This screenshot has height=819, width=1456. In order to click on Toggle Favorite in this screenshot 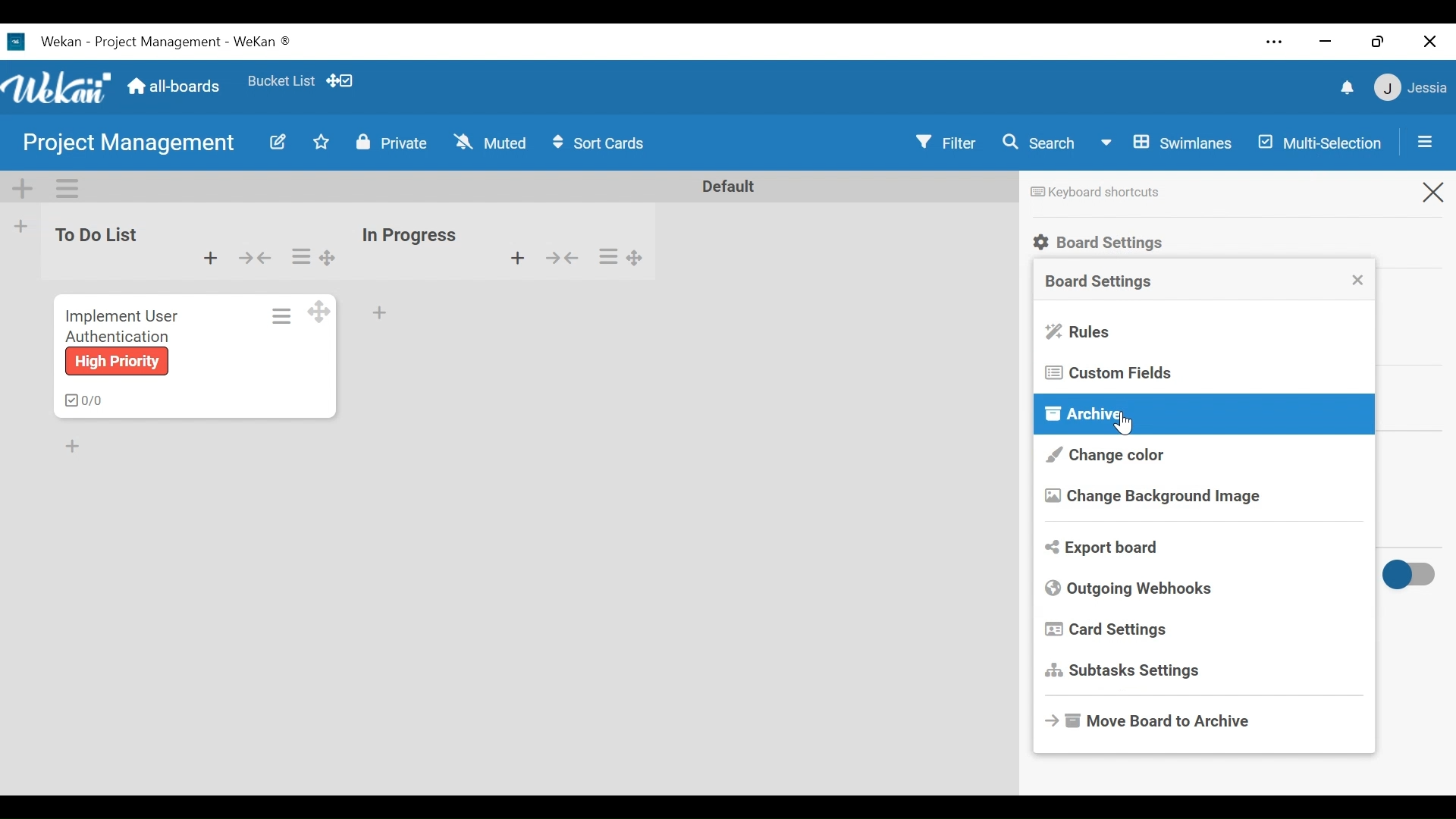, I will do `click(318, 143)`.